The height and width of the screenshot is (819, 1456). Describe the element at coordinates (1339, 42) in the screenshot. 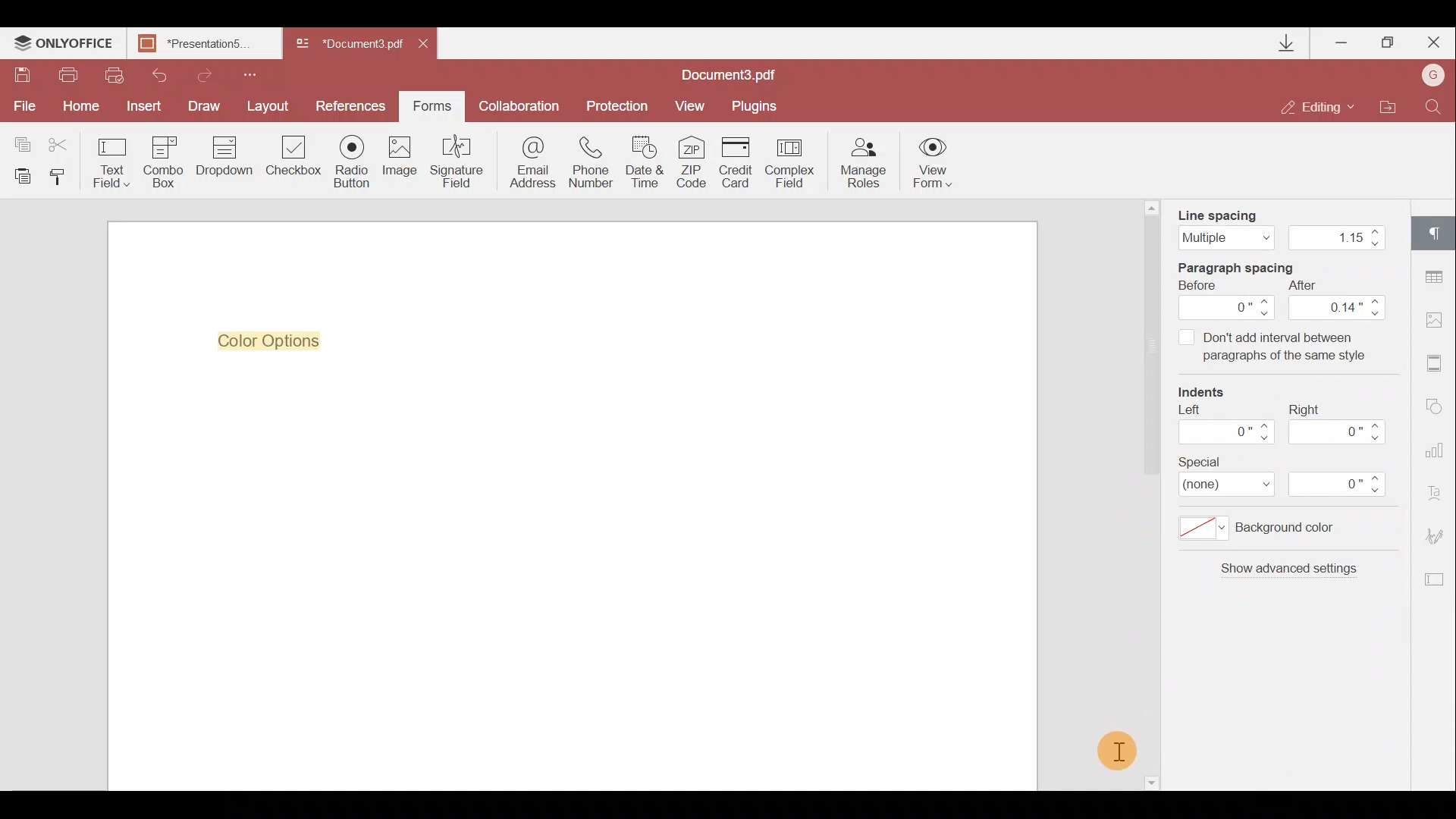

I see `Minimize` at that location.